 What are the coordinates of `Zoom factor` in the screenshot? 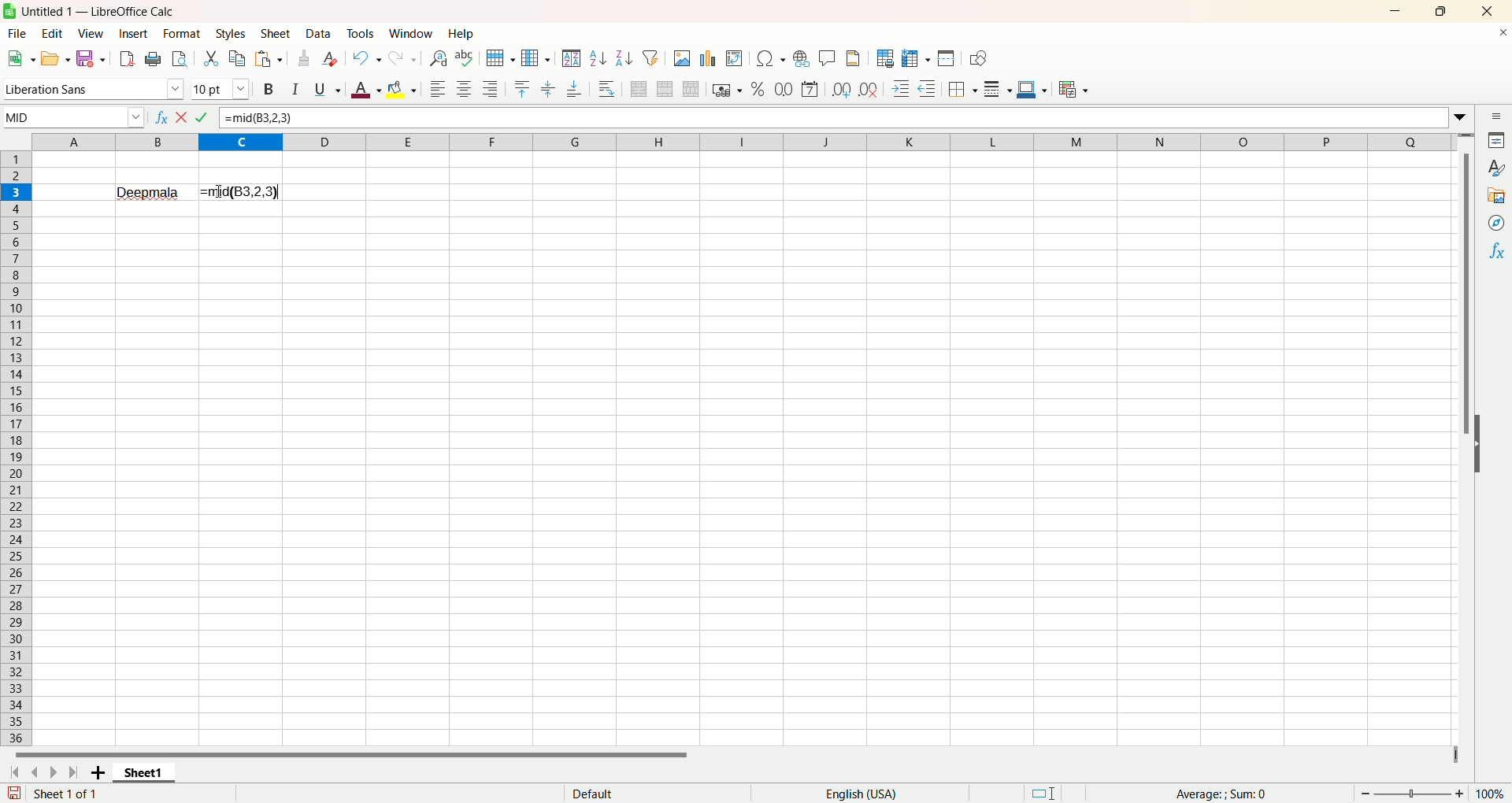 It's located at (1489, 794).